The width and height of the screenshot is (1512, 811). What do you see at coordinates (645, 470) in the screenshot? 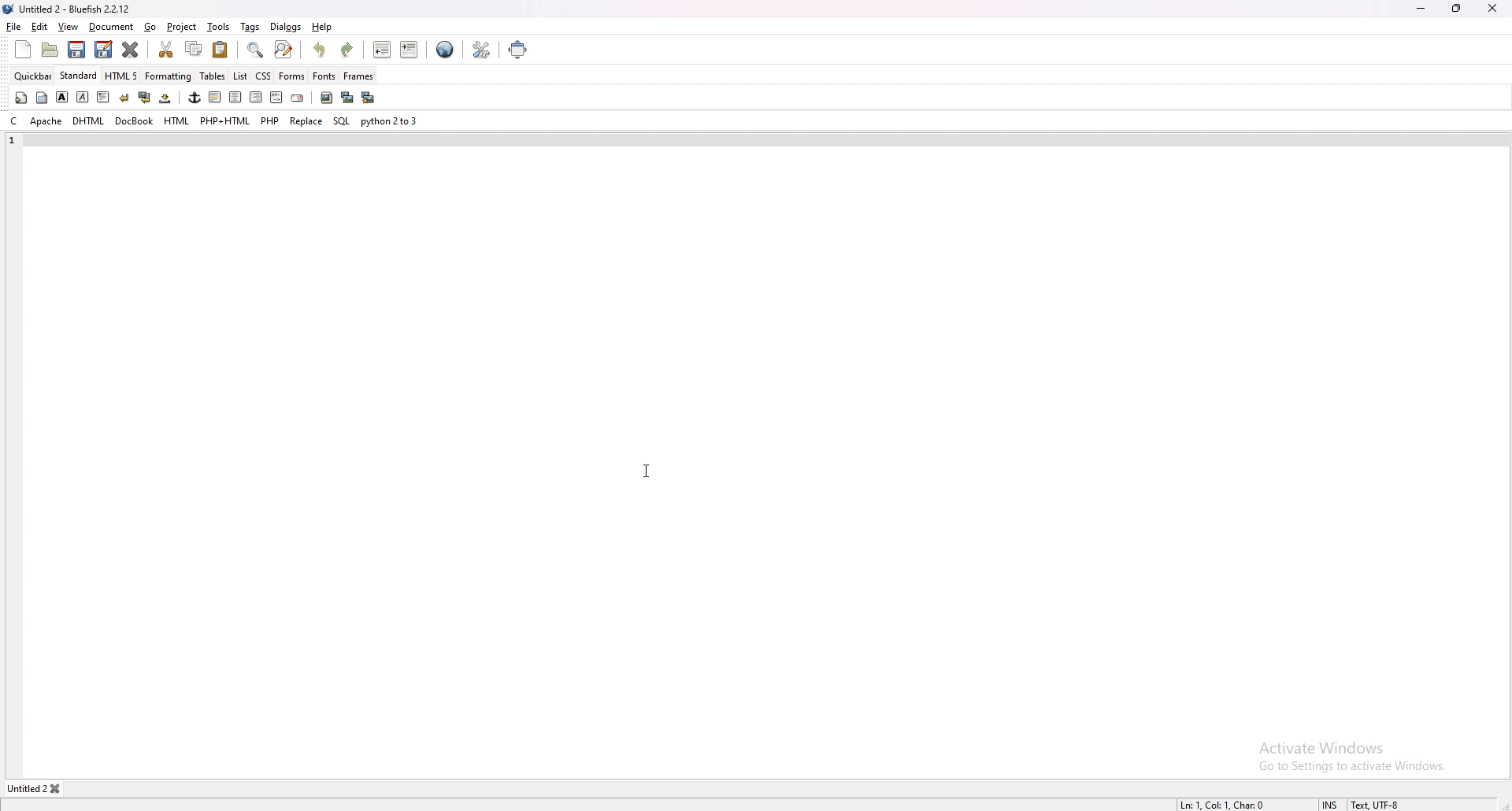
I see `cursor` at bounding box center [645, 470].